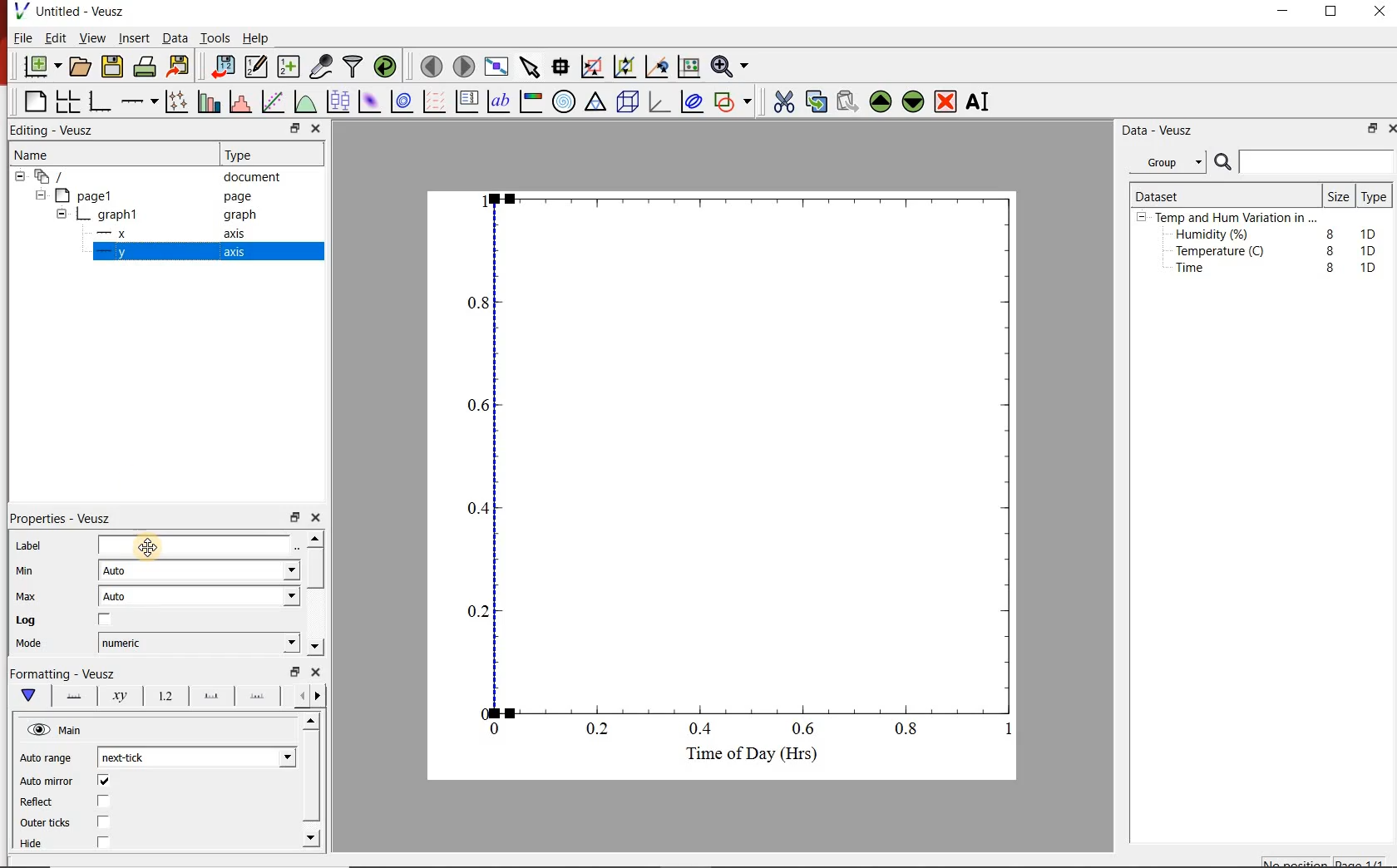 The width and height of the screenshot is (1397, 868). I want to click on Time, so click(1199, 272).